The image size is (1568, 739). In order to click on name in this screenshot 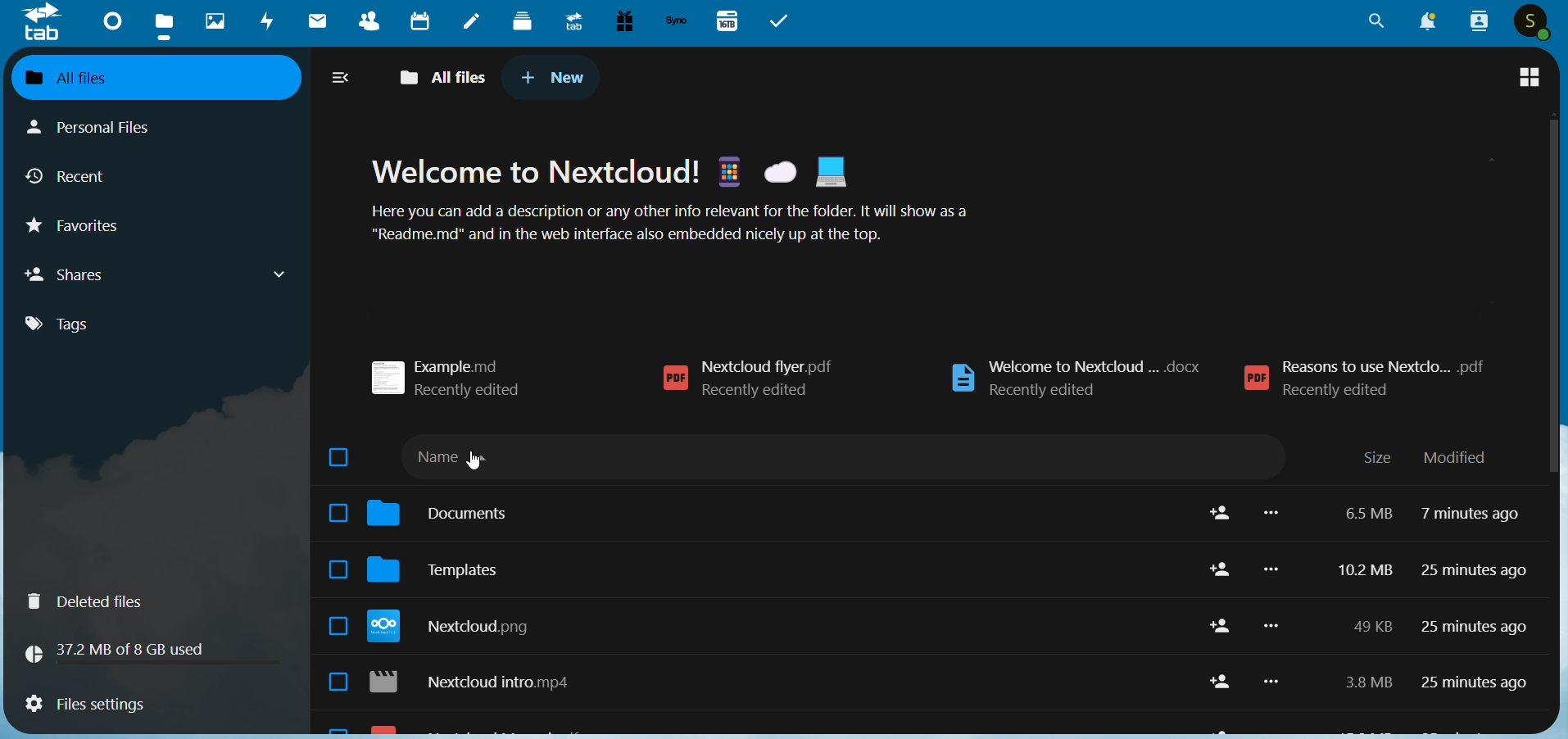, I will do `click(486, 456)`.